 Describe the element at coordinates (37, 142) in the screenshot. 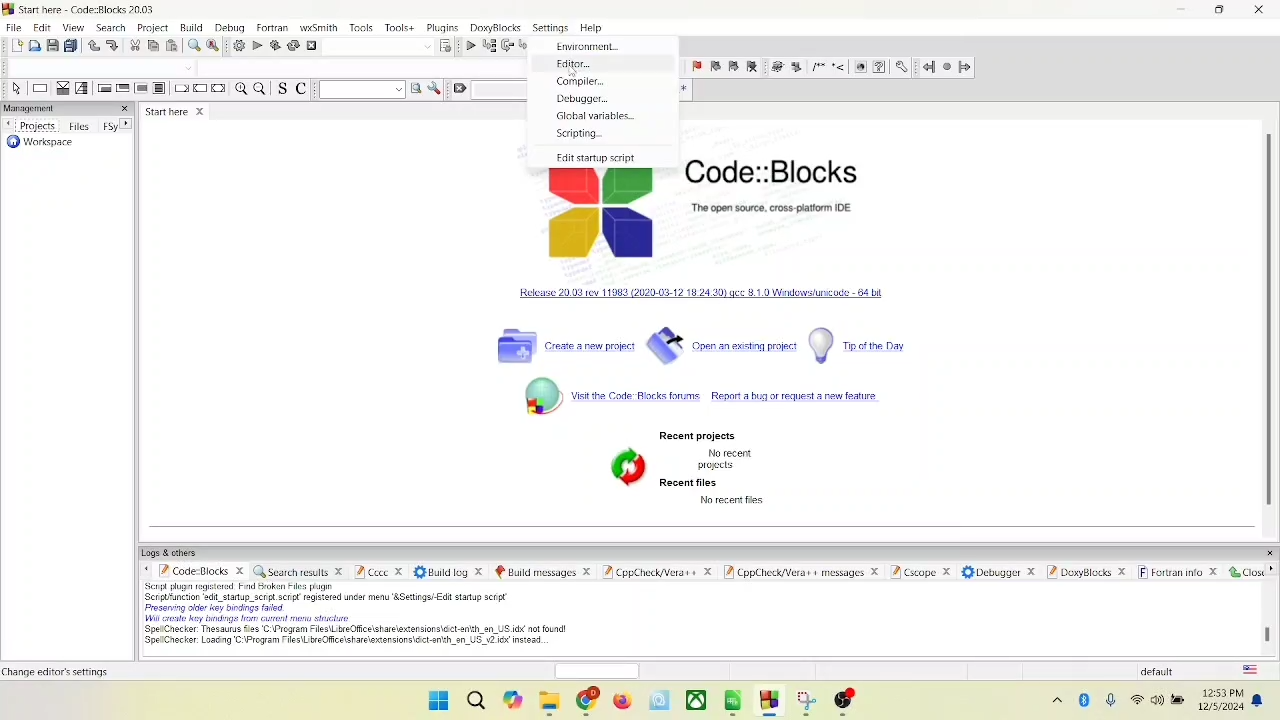

I see `workspace` at that location.